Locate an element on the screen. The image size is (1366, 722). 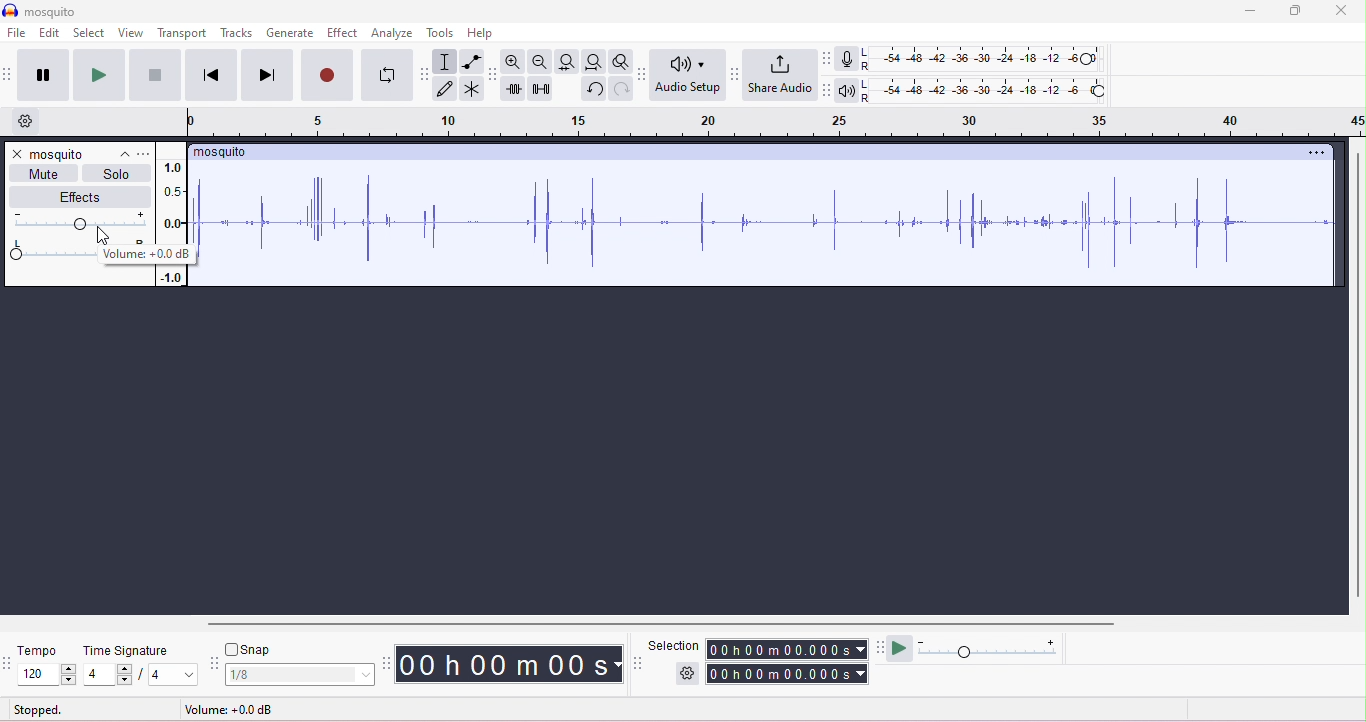
fit project to width is located at coordinates (593, 62).